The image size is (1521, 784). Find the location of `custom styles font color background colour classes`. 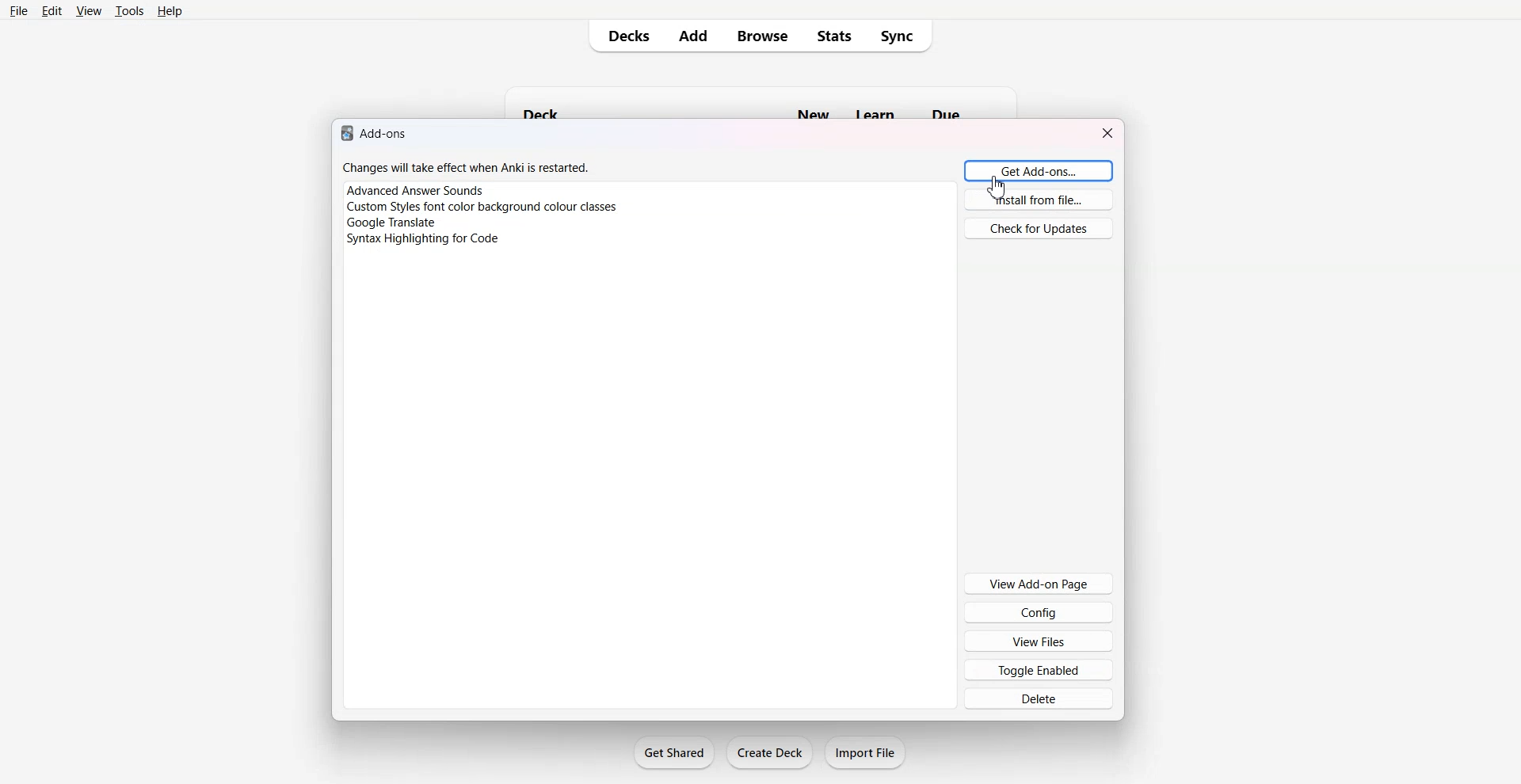

custom styles font color background colour classes is located at coordinates (483, 207).